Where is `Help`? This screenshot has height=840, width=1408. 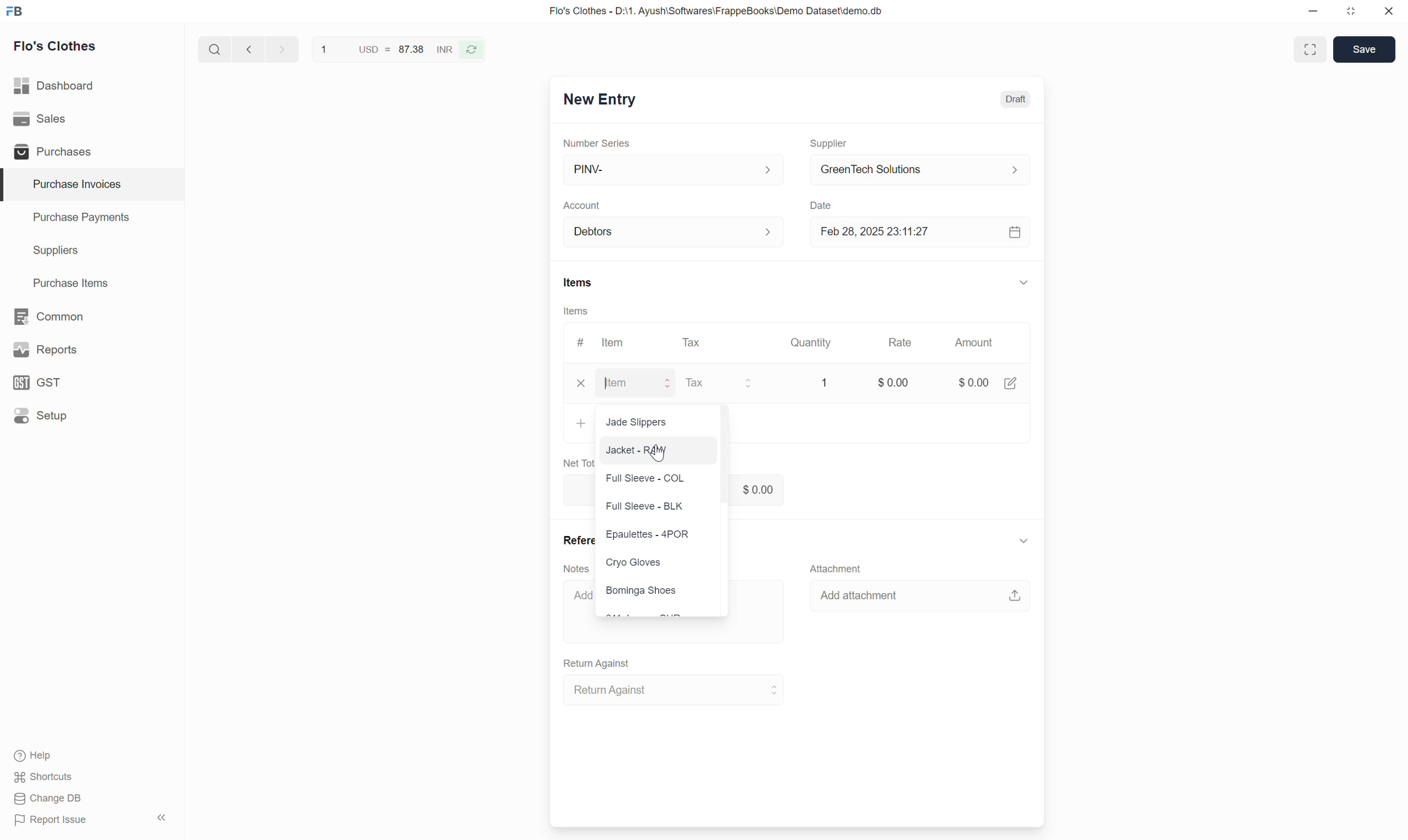 Help is located at coordinates (36, 756).